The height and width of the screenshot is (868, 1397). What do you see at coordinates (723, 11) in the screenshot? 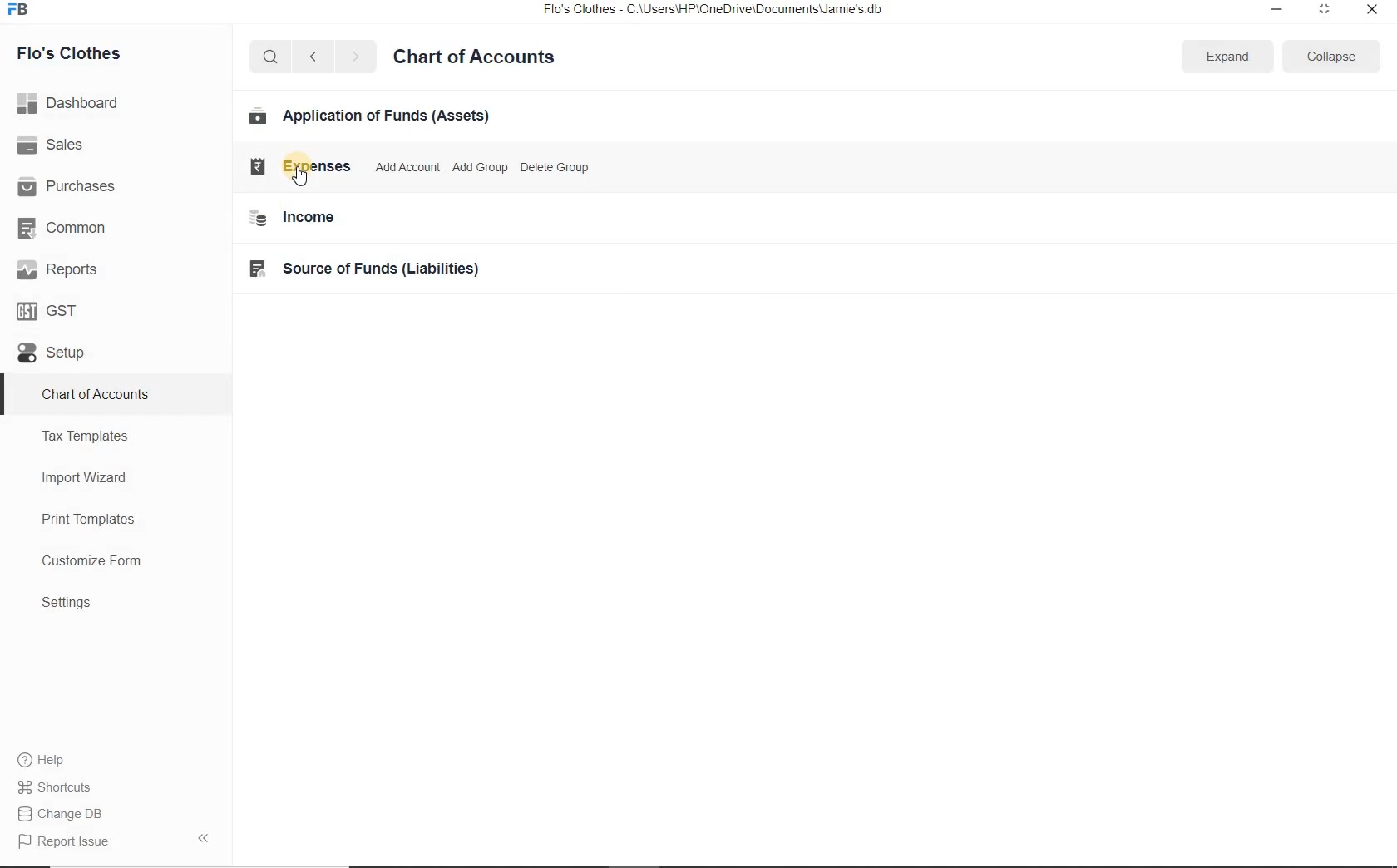
I see `Flo's Clothes - C:\Users\HP\OneDrive\Documents\Jamie's db` at bounding box center [723, 11].